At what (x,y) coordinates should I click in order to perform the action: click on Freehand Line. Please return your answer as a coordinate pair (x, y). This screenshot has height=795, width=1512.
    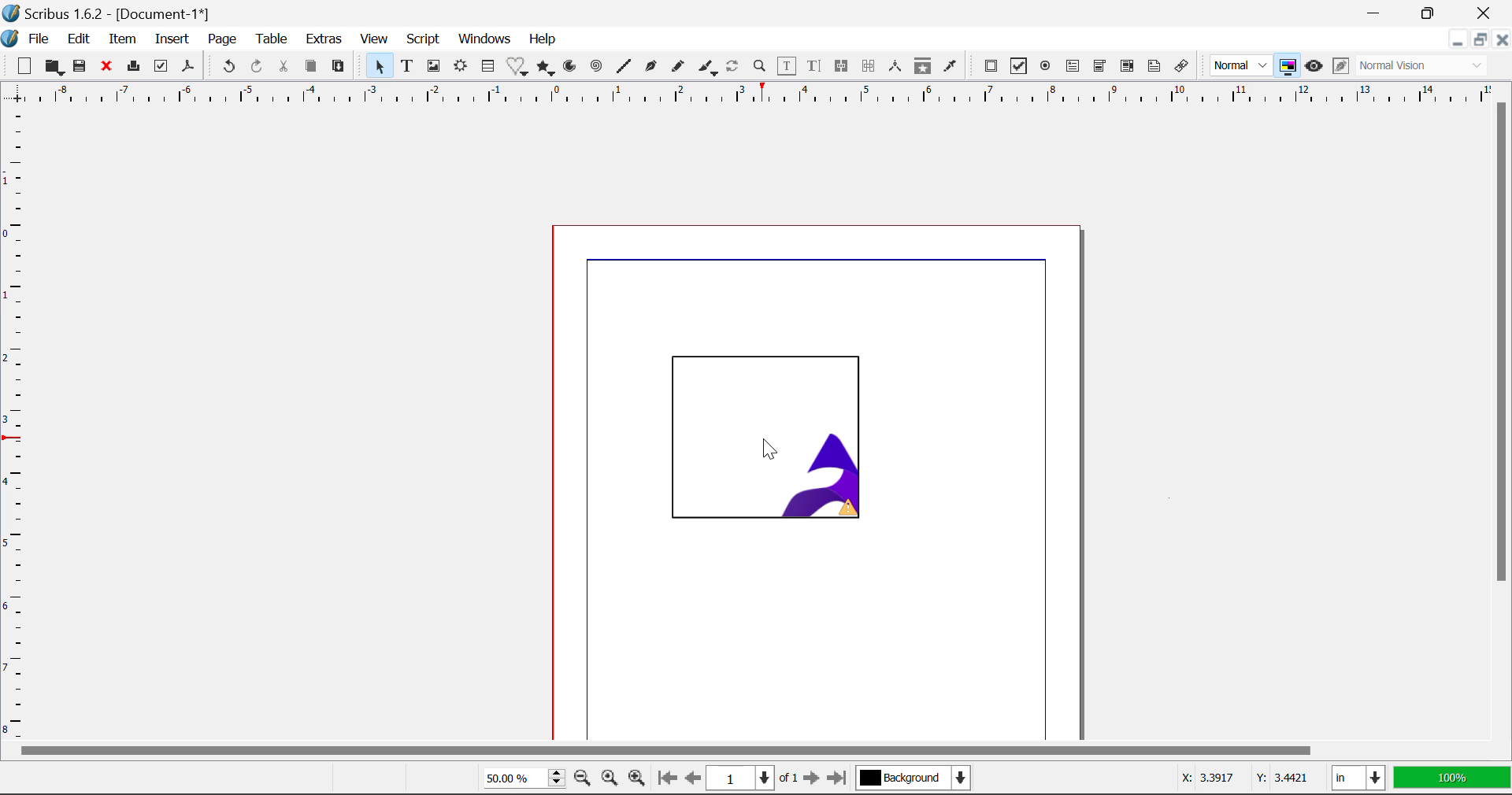
    Looking at the image, I should click on (680, 68).